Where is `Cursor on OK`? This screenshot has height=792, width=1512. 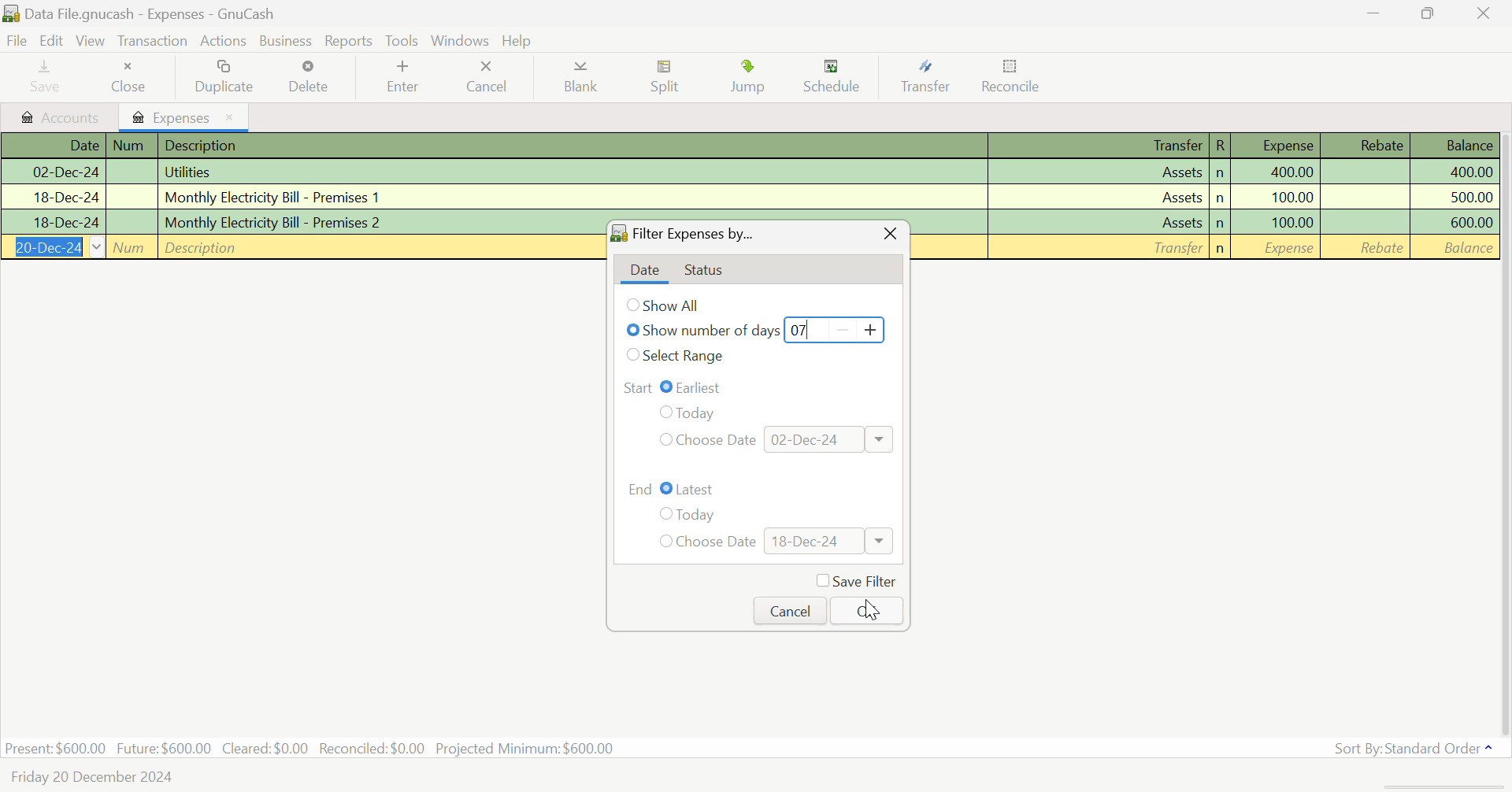 Cursor on OK is located at coordinates (873, 609).